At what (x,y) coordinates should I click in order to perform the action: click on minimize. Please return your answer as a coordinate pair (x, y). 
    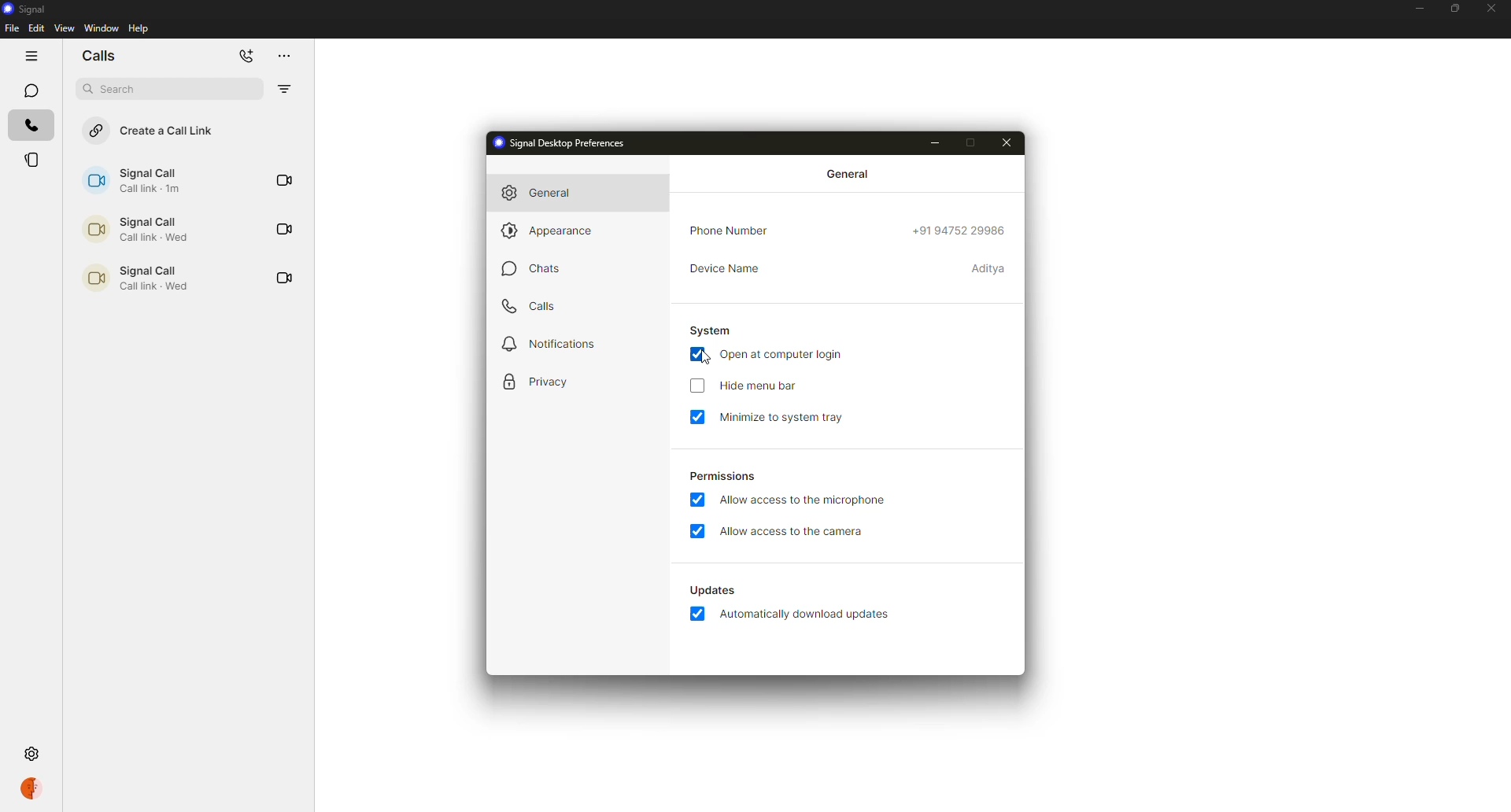
    Looking at the image, I should click on (1418, 10).